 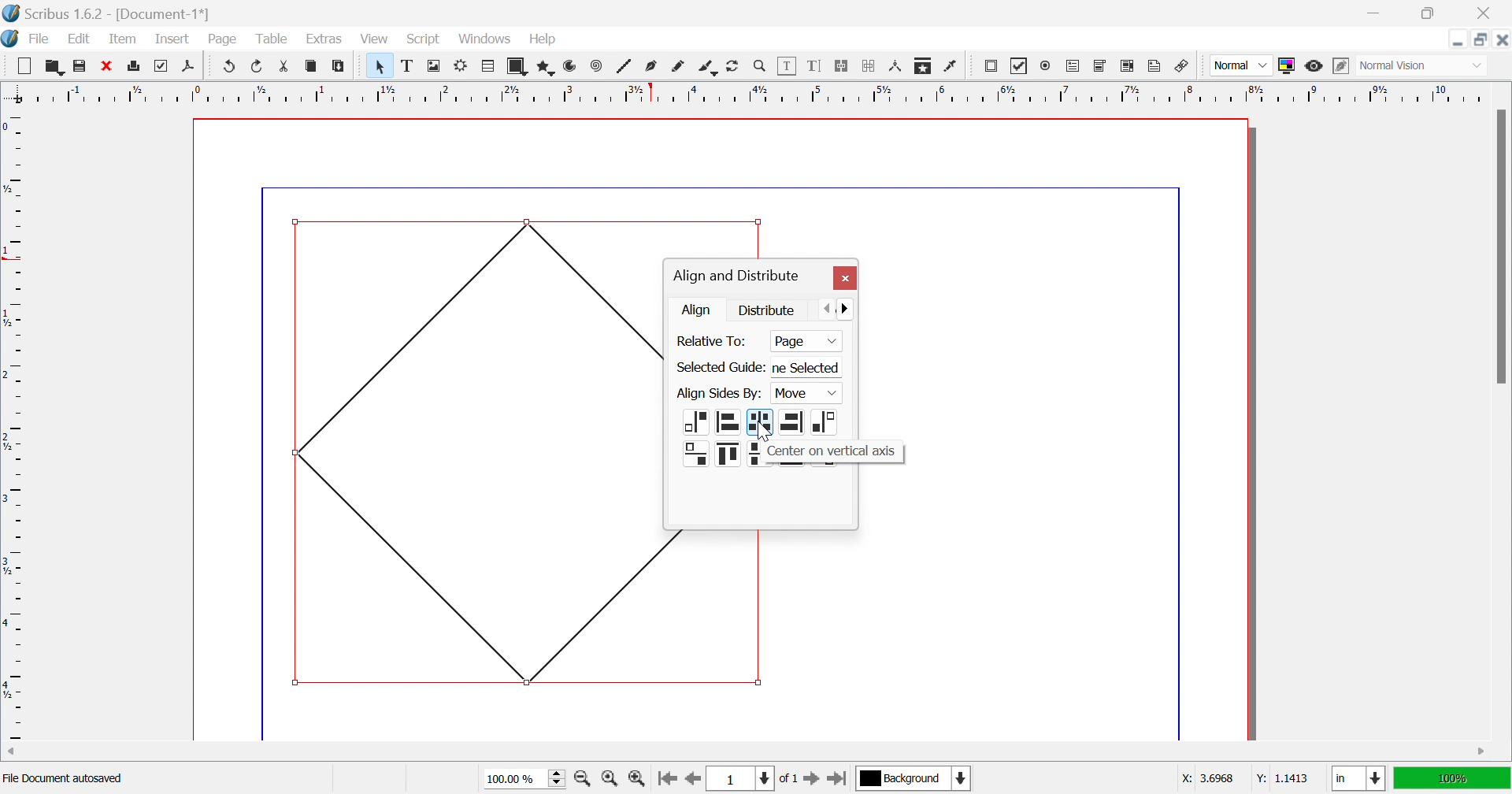 I want to click on Distribute, so click(x=768, y=309).